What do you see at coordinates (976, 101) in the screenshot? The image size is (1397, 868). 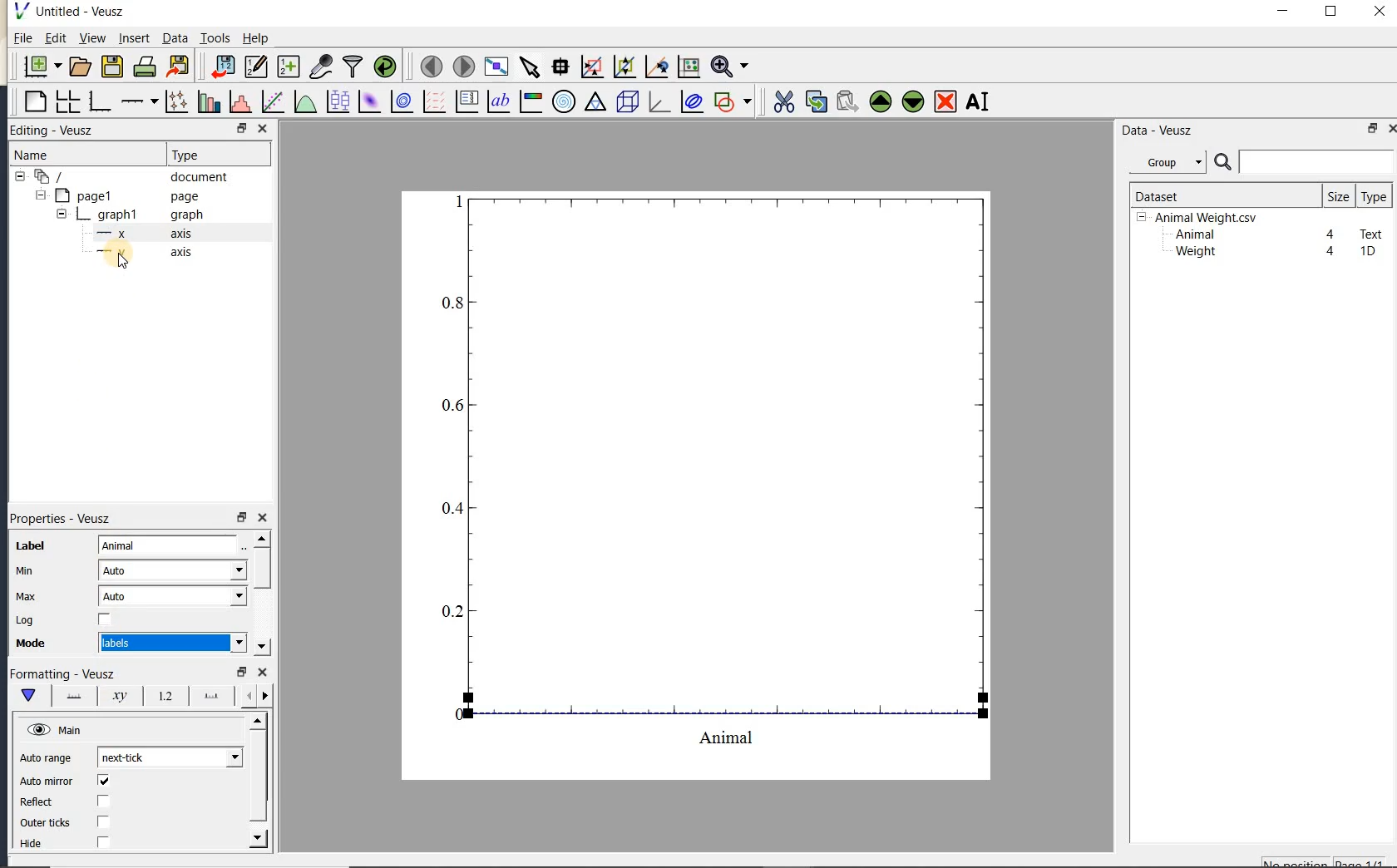 I see `renames the selected widget` at bounding box center [976, 101].